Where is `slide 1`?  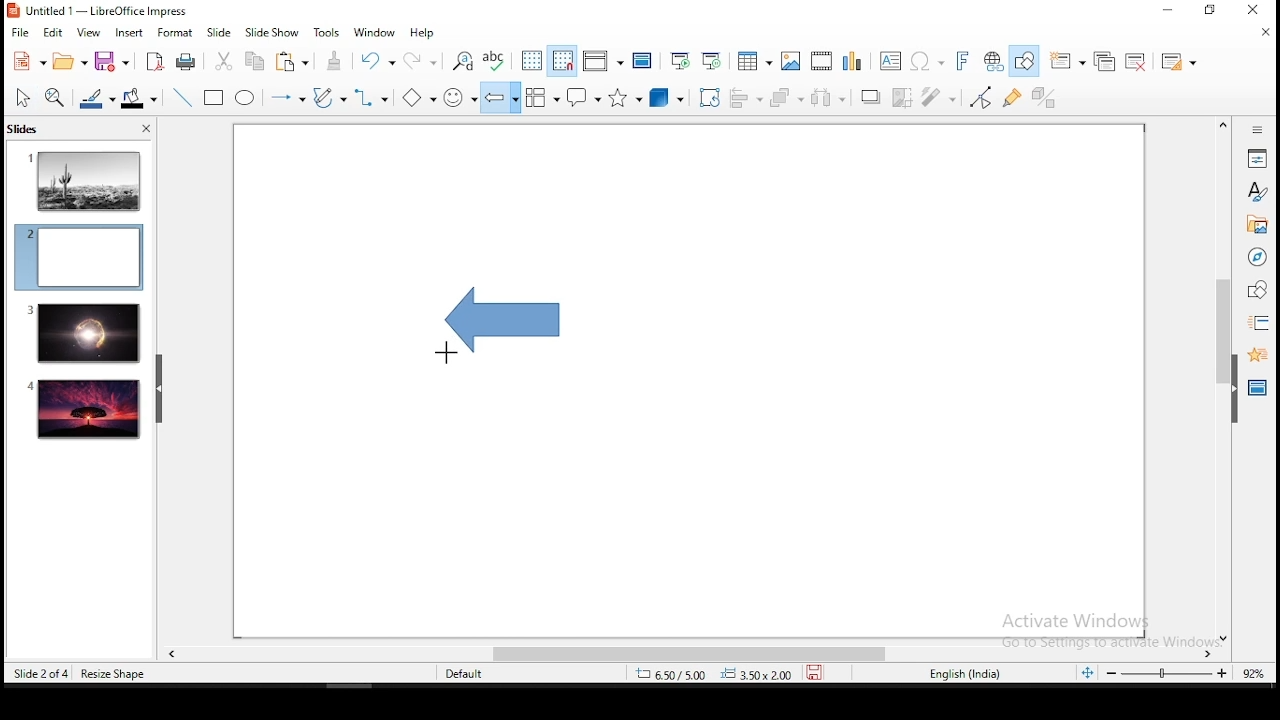 slide 1 is located at coordinates (85, 180).